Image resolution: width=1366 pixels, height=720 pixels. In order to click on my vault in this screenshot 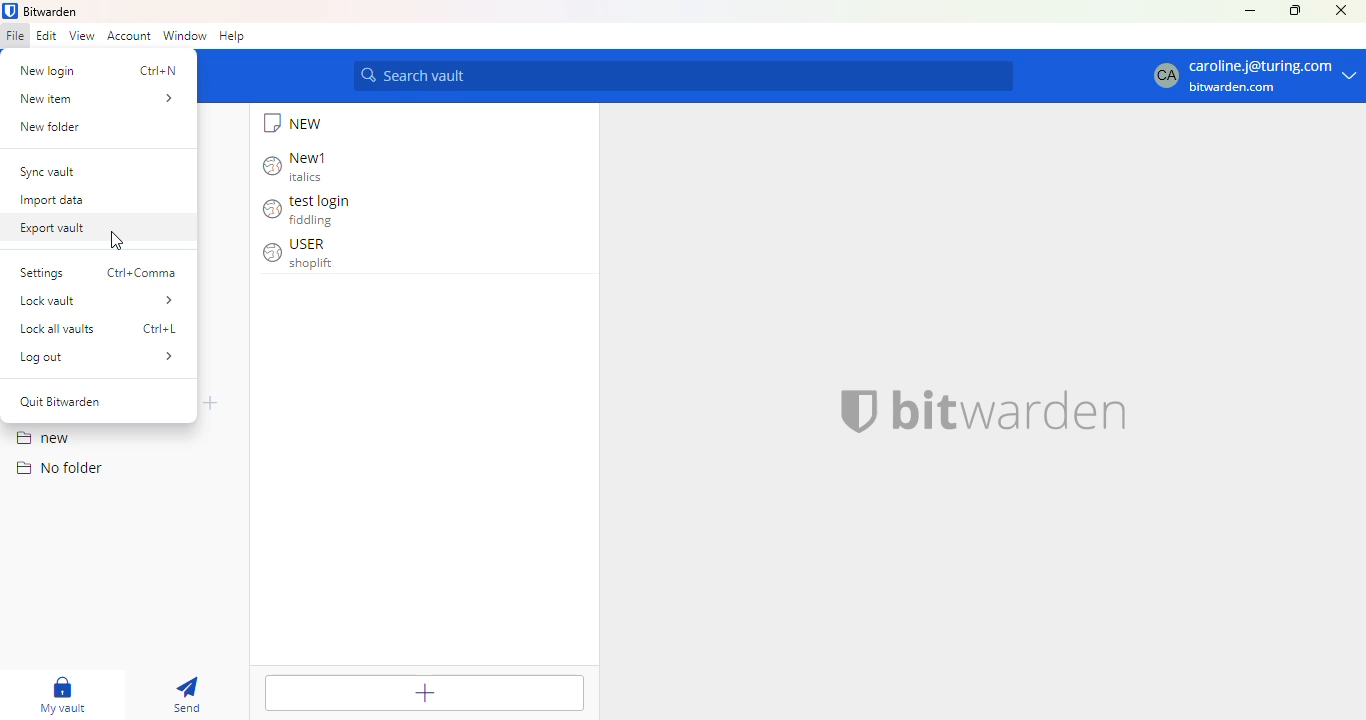, I will do `click(60, 694)`.